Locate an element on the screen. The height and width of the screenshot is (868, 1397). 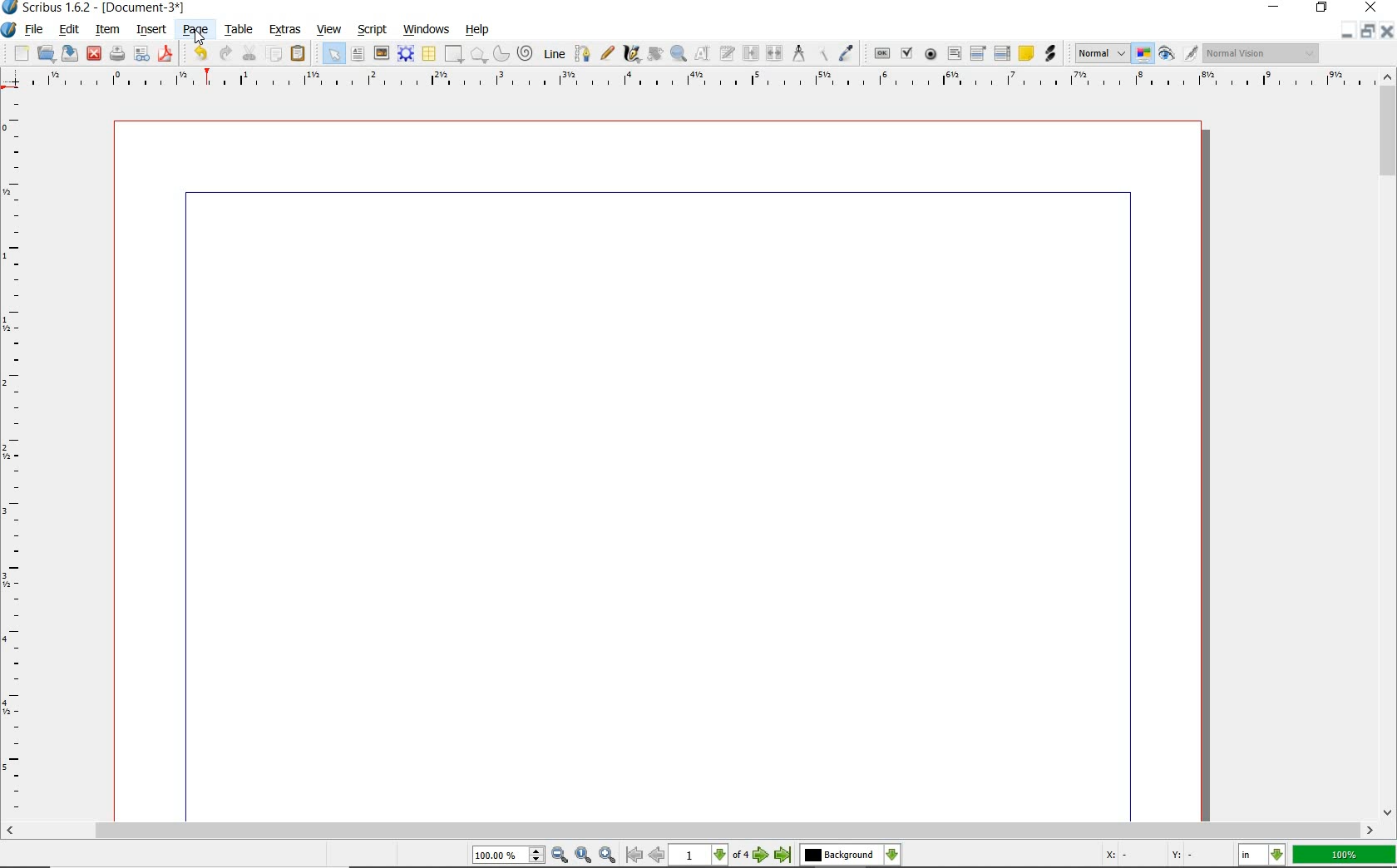
Bezier curve is located at coordinates (583, 53).